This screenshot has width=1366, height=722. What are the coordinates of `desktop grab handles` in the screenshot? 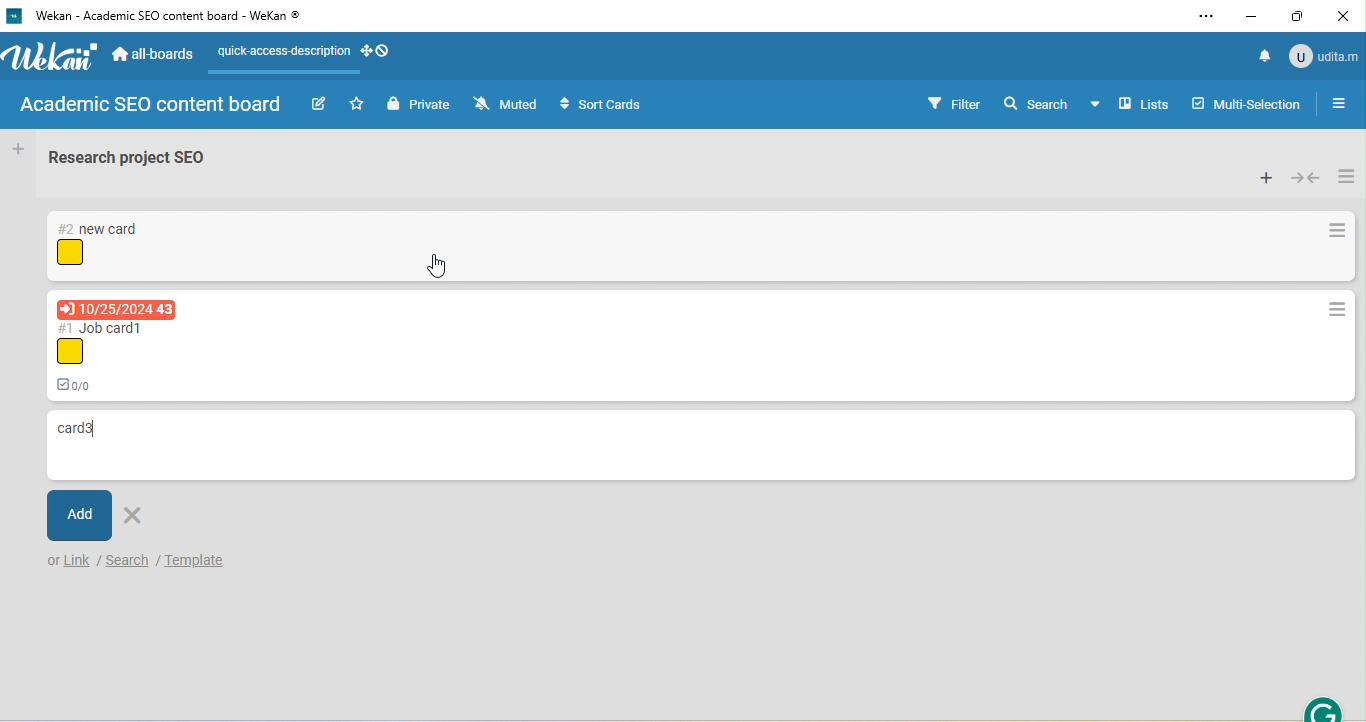 It's located at (375, 52).